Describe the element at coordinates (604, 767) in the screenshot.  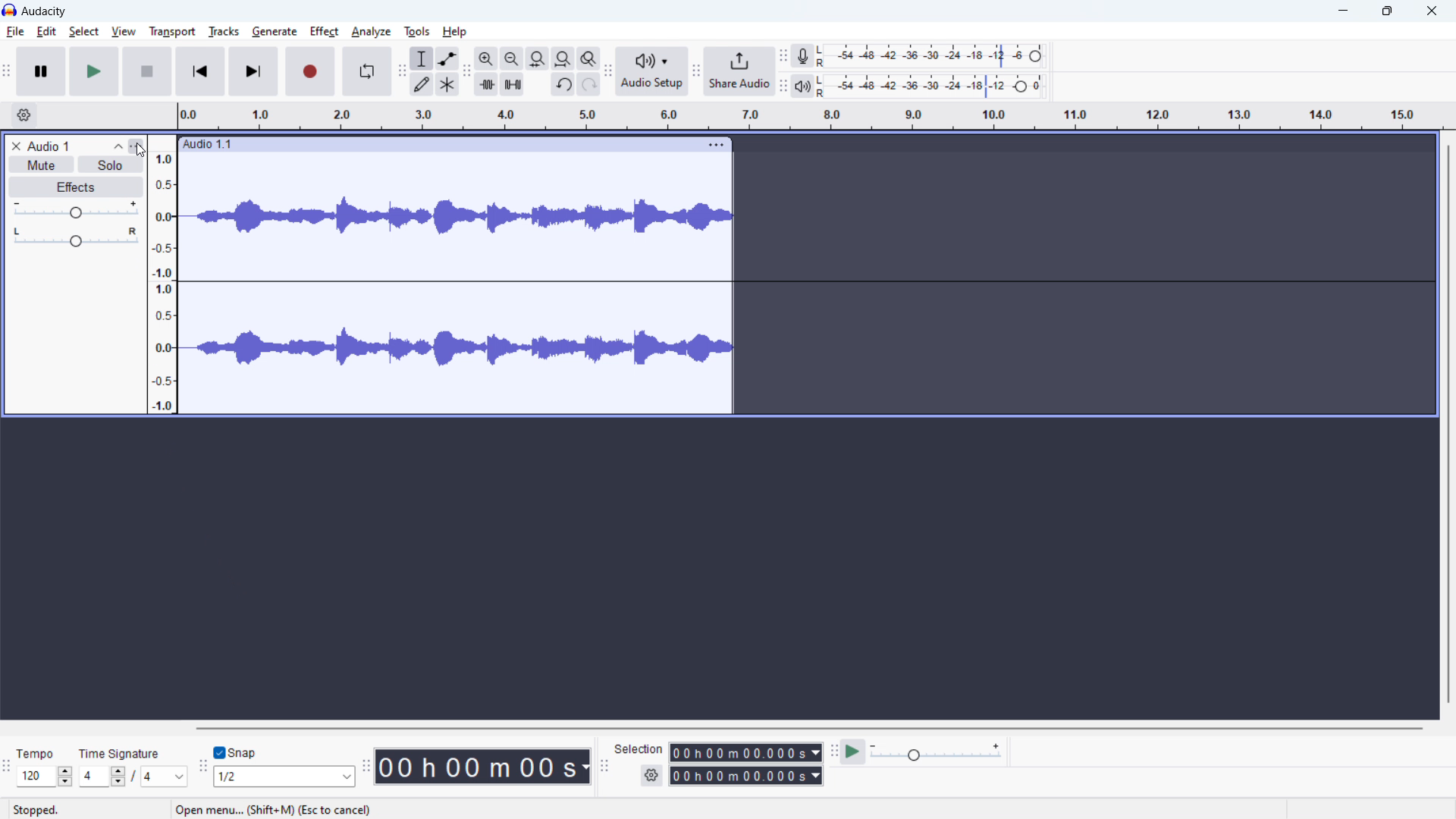
I see `selection toolbar` at that location.